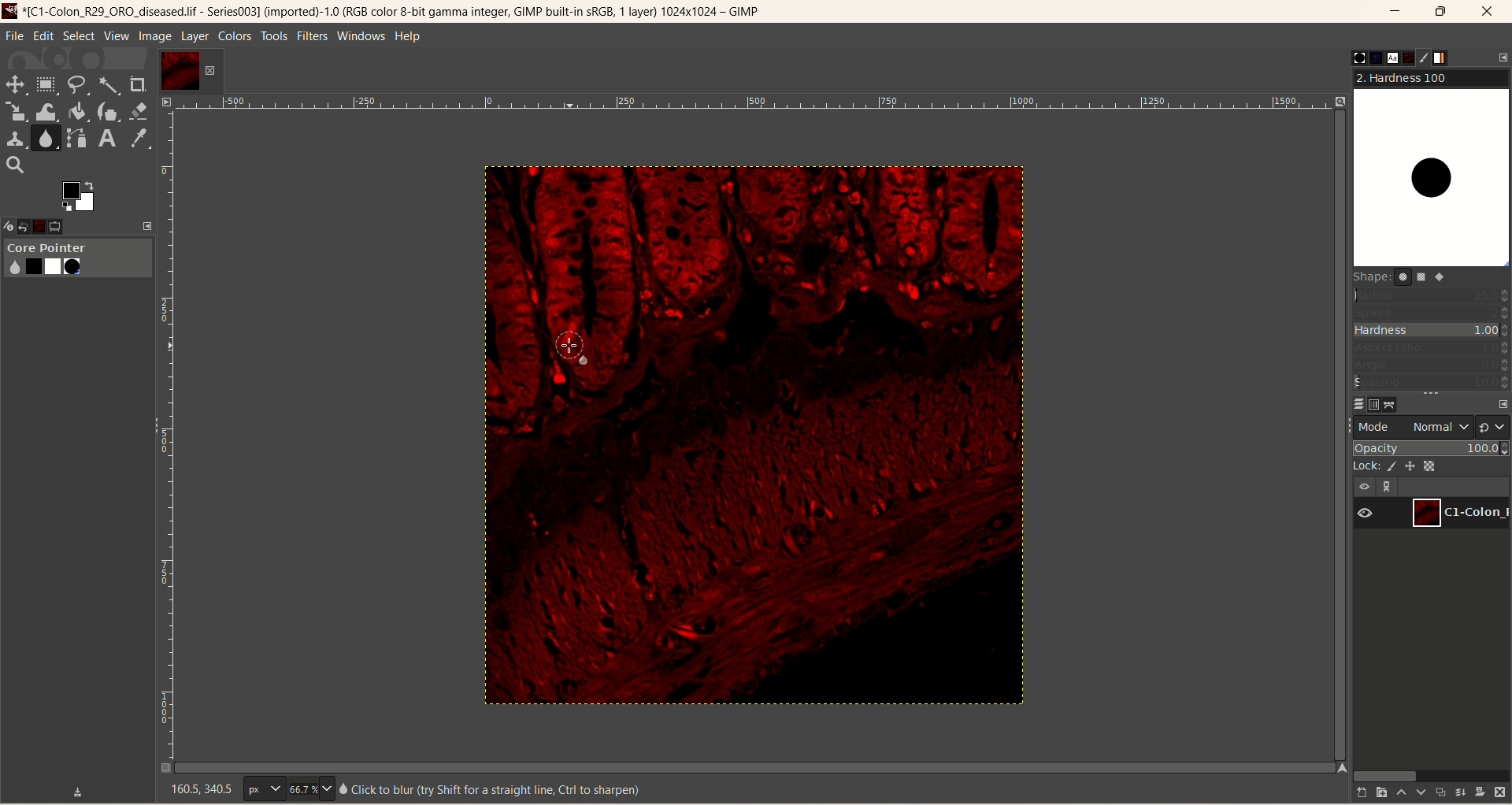  I want to click on document history, so click(1407, 57).